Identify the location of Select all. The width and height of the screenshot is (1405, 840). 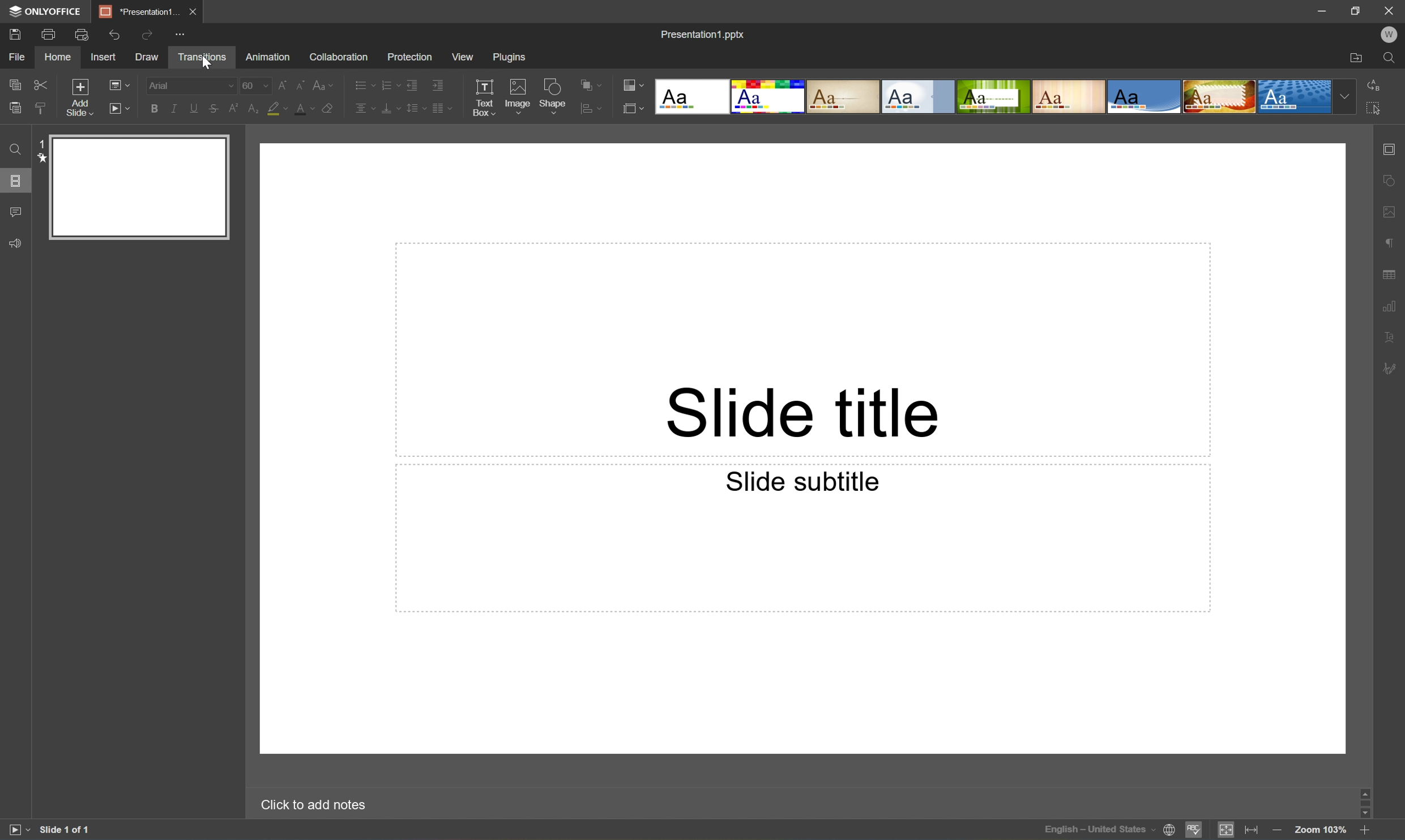
(1376, 108).